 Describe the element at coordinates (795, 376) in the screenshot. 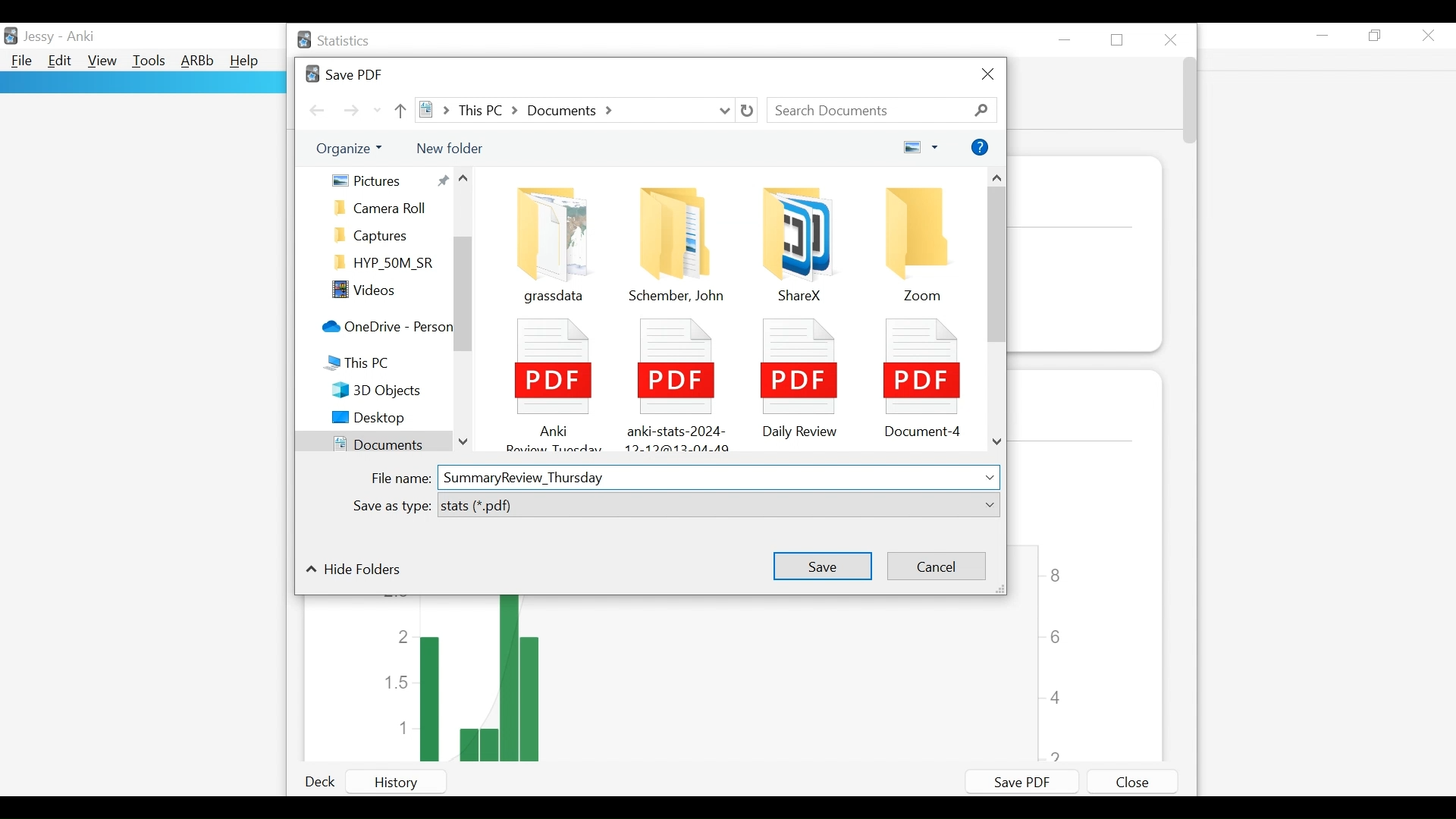

I see `PDF` at that location.